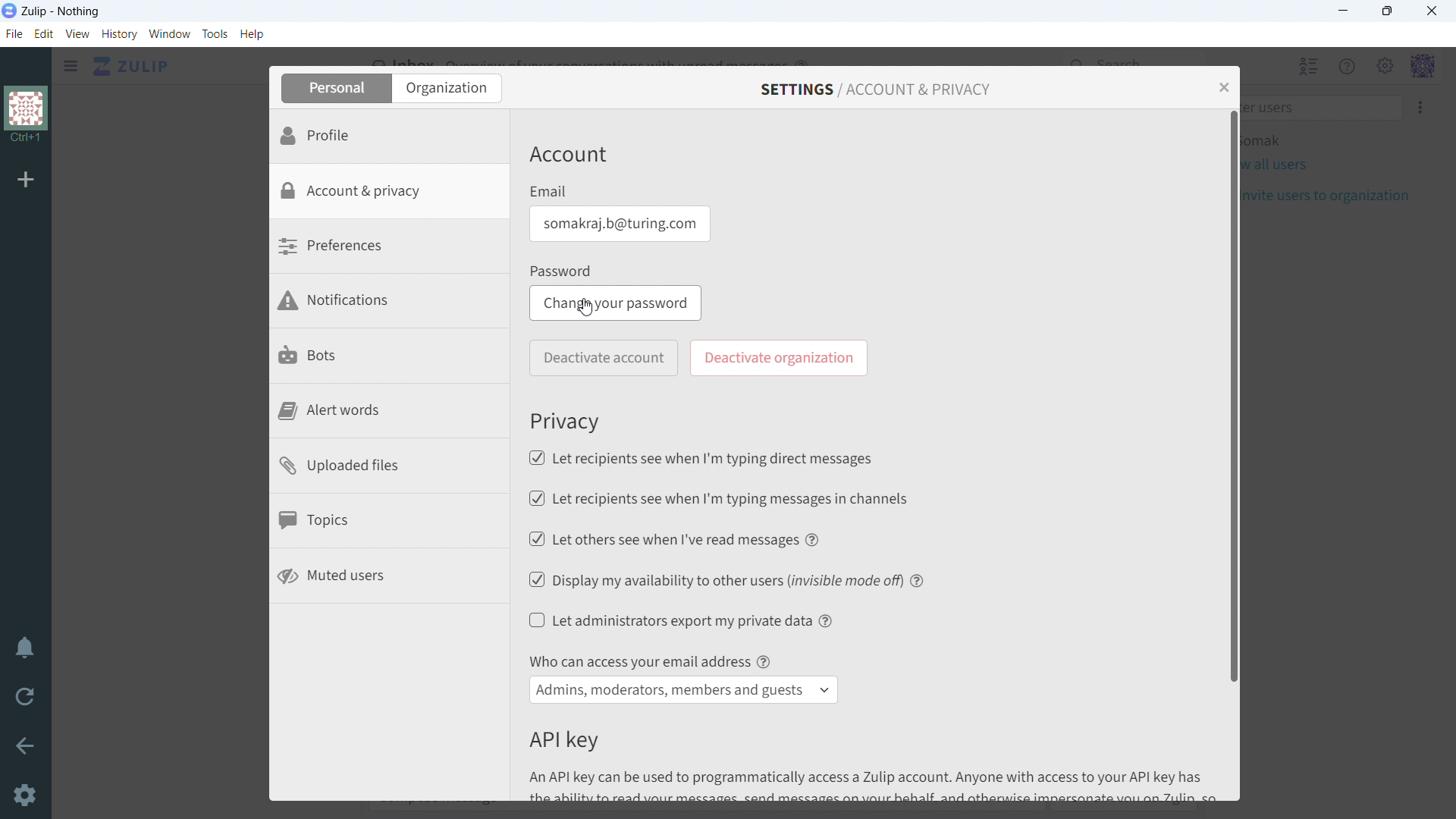 This screenshot has width=1456, height=819. Describe the element at coordinates (588, 312) in the screenshot. I see `Cursor` at that location.